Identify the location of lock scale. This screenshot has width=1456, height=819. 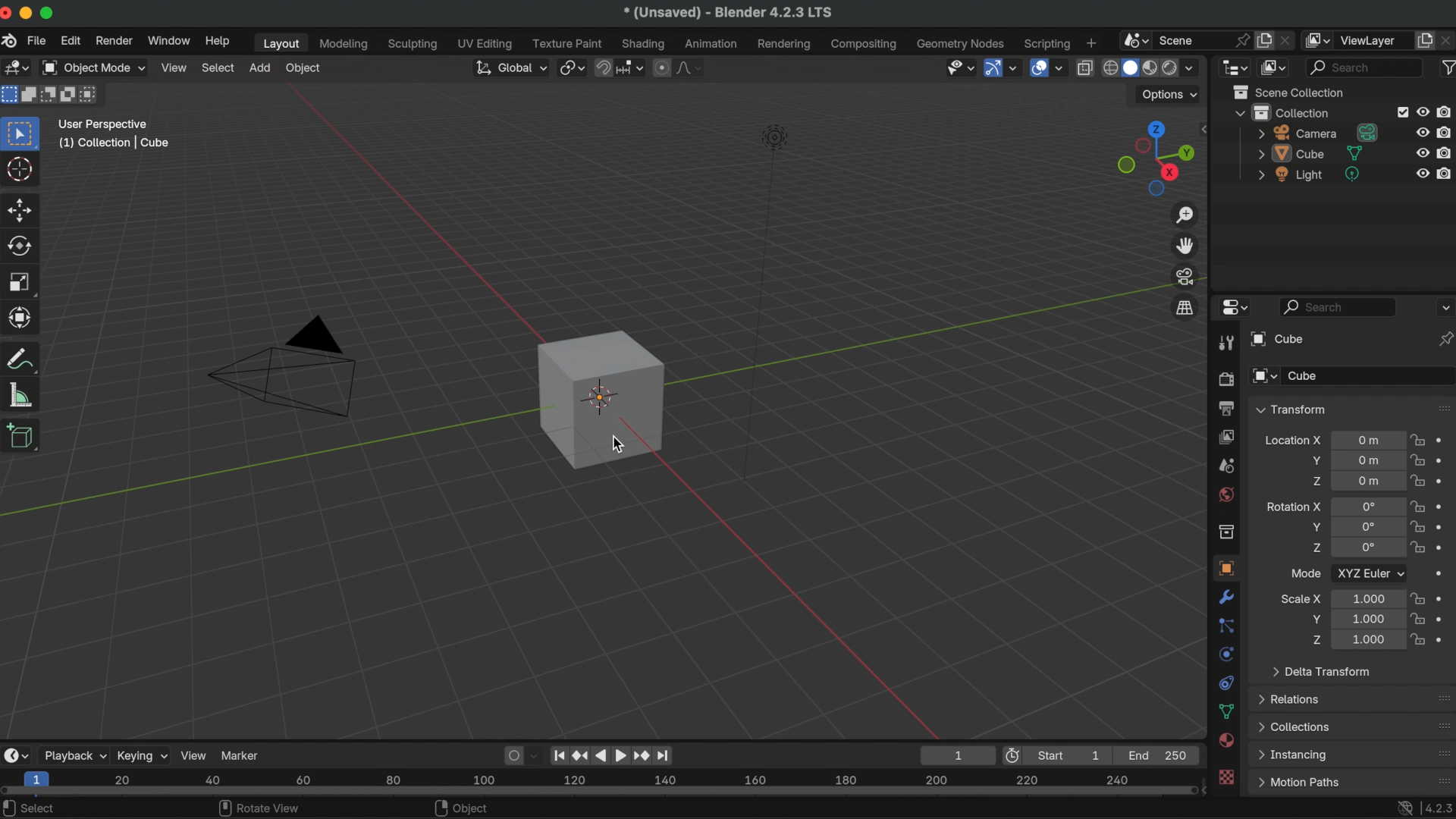
(1417, 598).